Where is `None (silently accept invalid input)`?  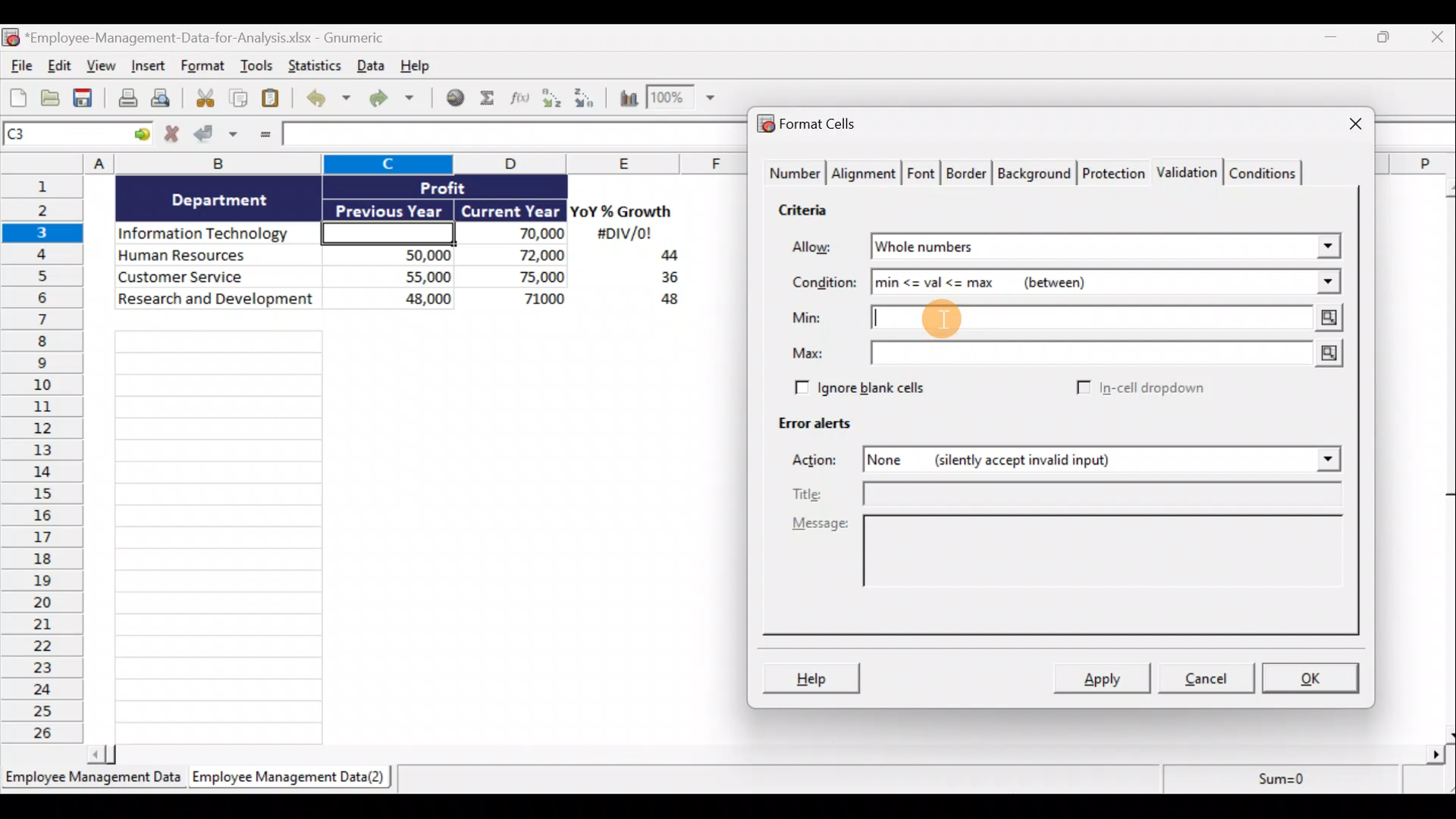 None (silently accept invalid input) is located at coordinates (1051, 462).